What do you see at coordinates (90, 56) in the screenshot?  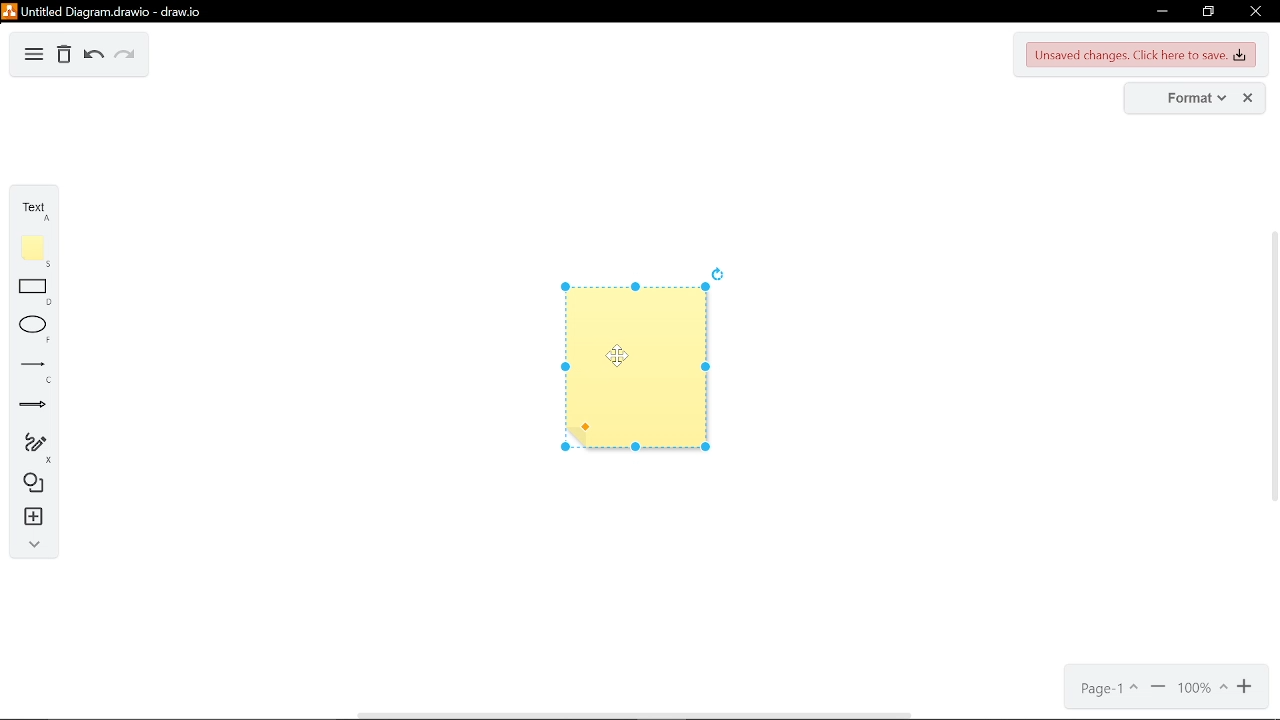 I see `undo` at bounding box center [90, 56].